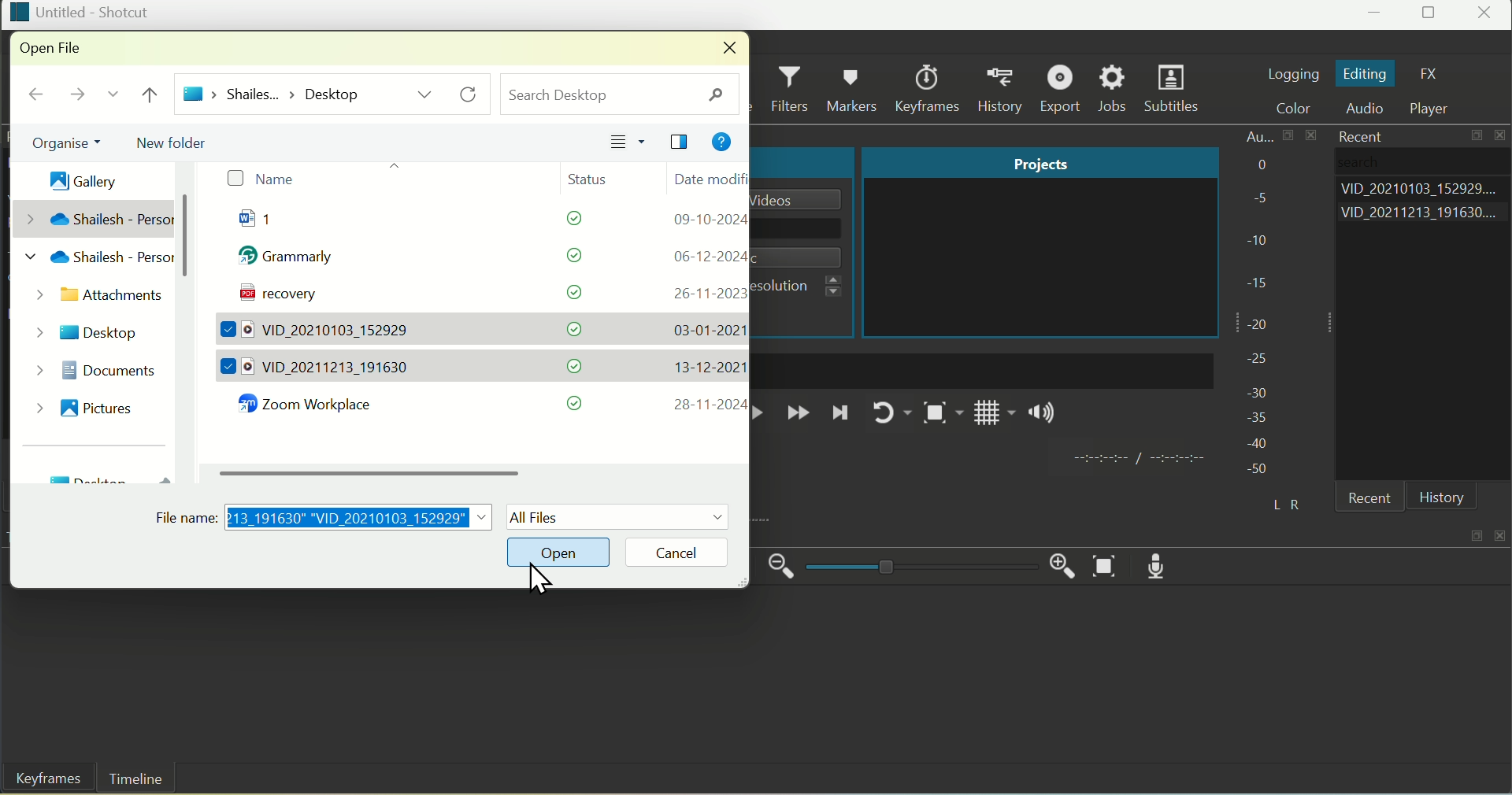 This screenshot has width=1512, height=795. I want to click on Sound, so click(1043, 416).